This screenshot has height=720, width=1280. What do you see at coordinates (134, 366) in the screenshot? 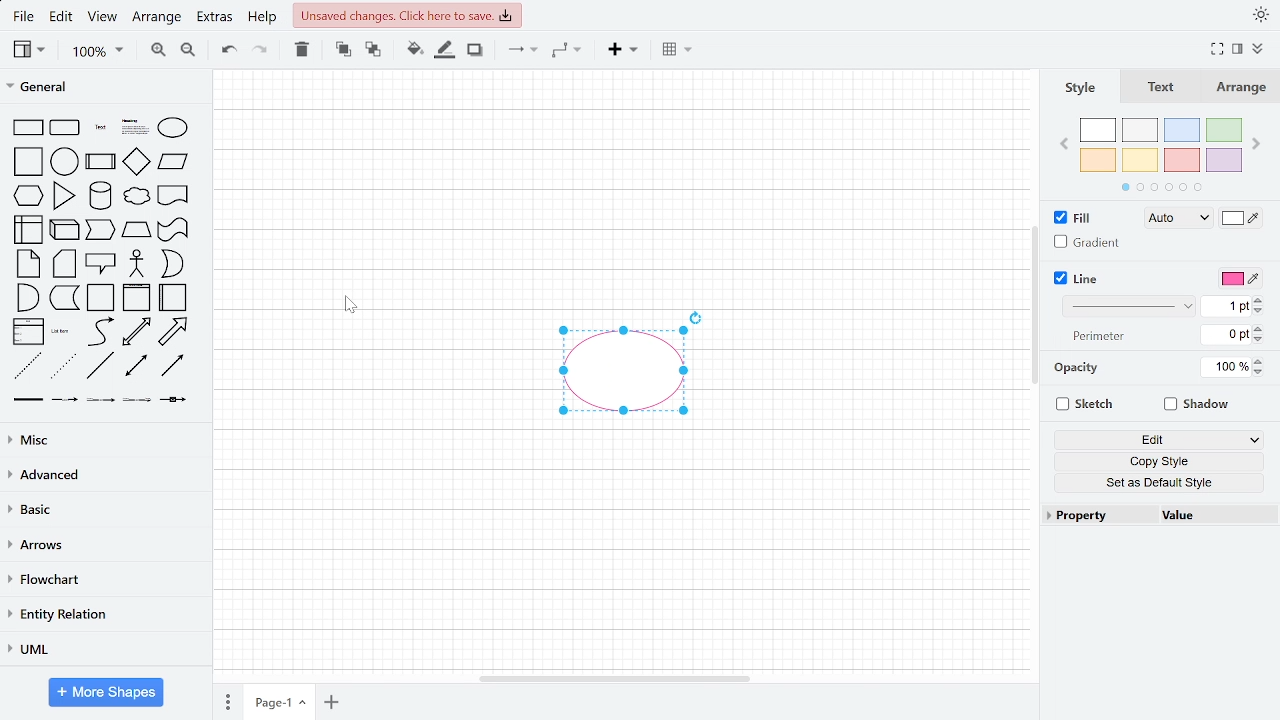
I see `bidirectional connector` at bounding box center [134, 366].